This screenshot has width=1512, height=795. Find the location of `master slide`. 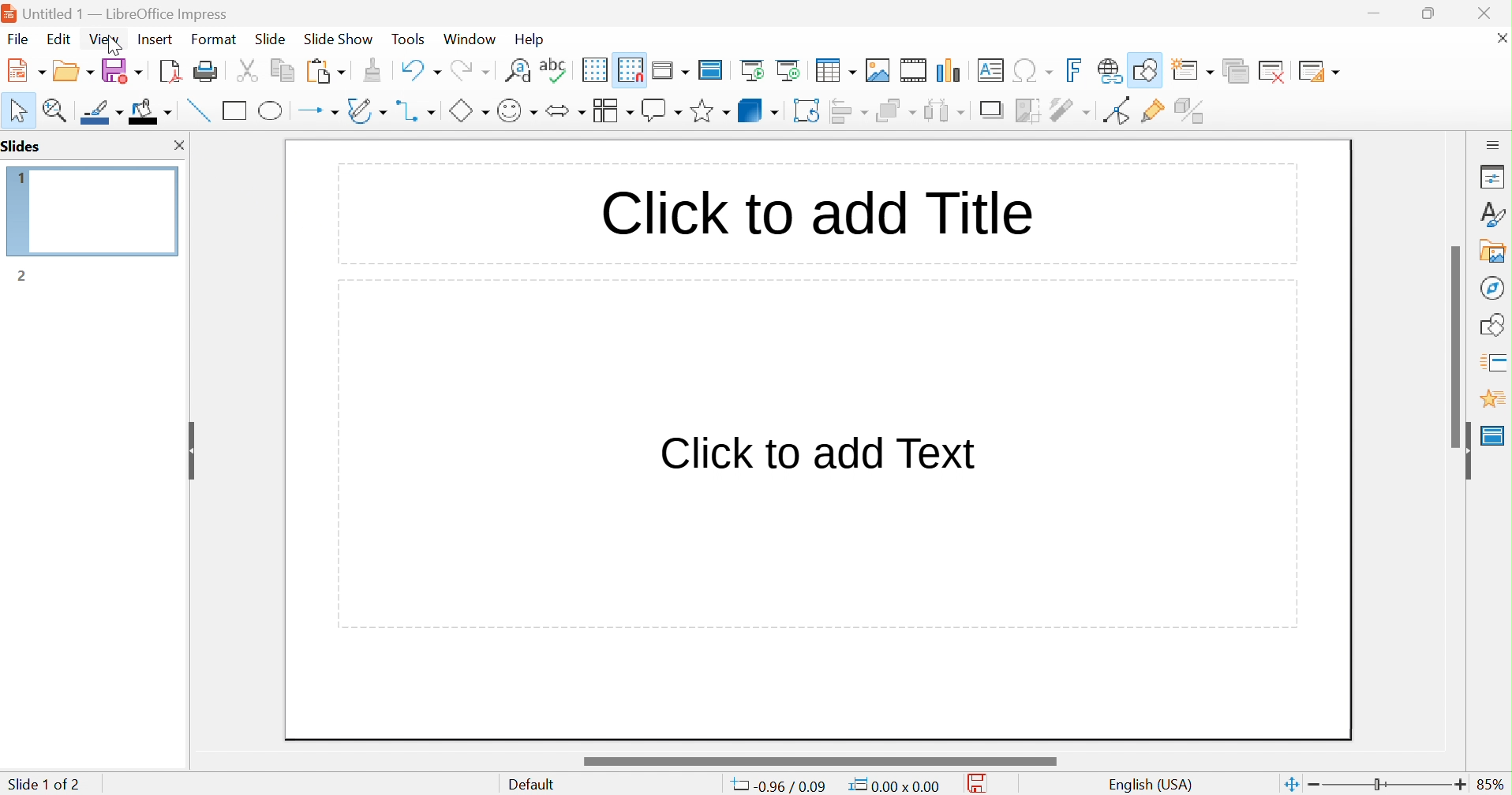

master slide is located at coordinates (713, 69).